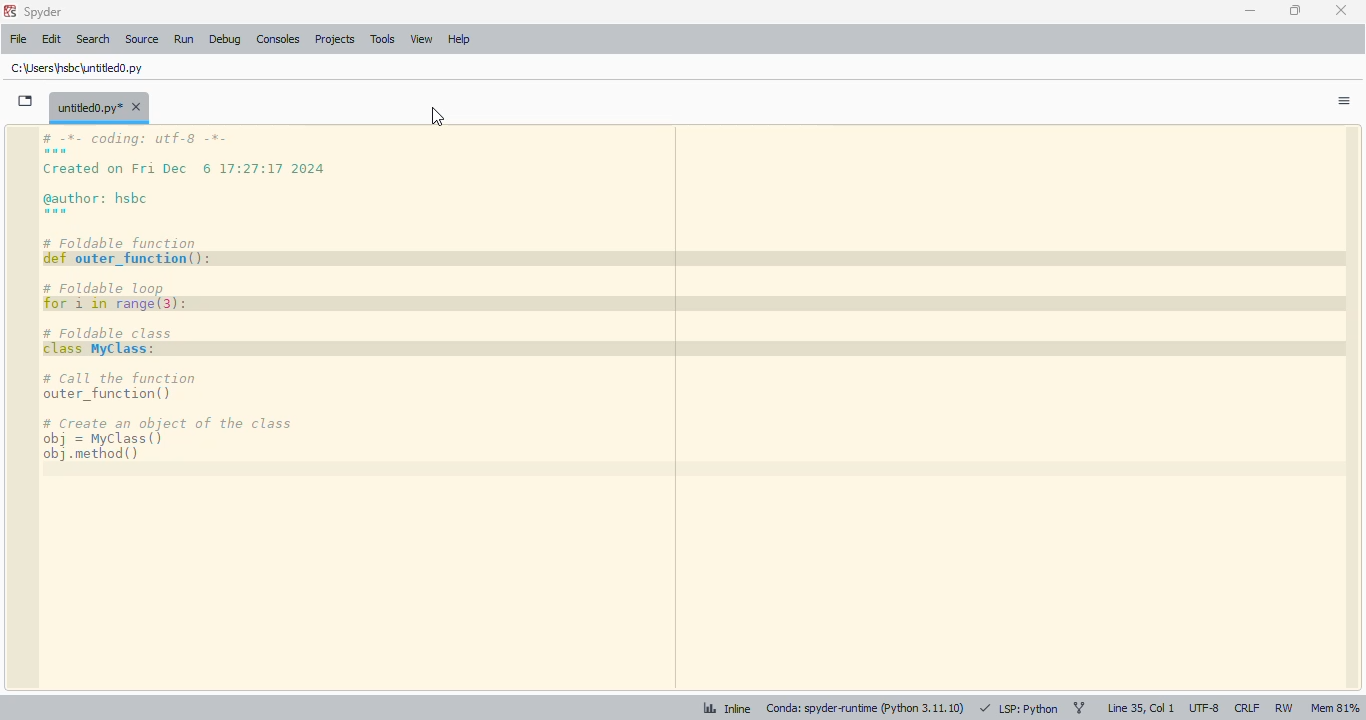 This screenshot has height=720, width=1366. I want to click on LSP: python, so click(1019, 708).